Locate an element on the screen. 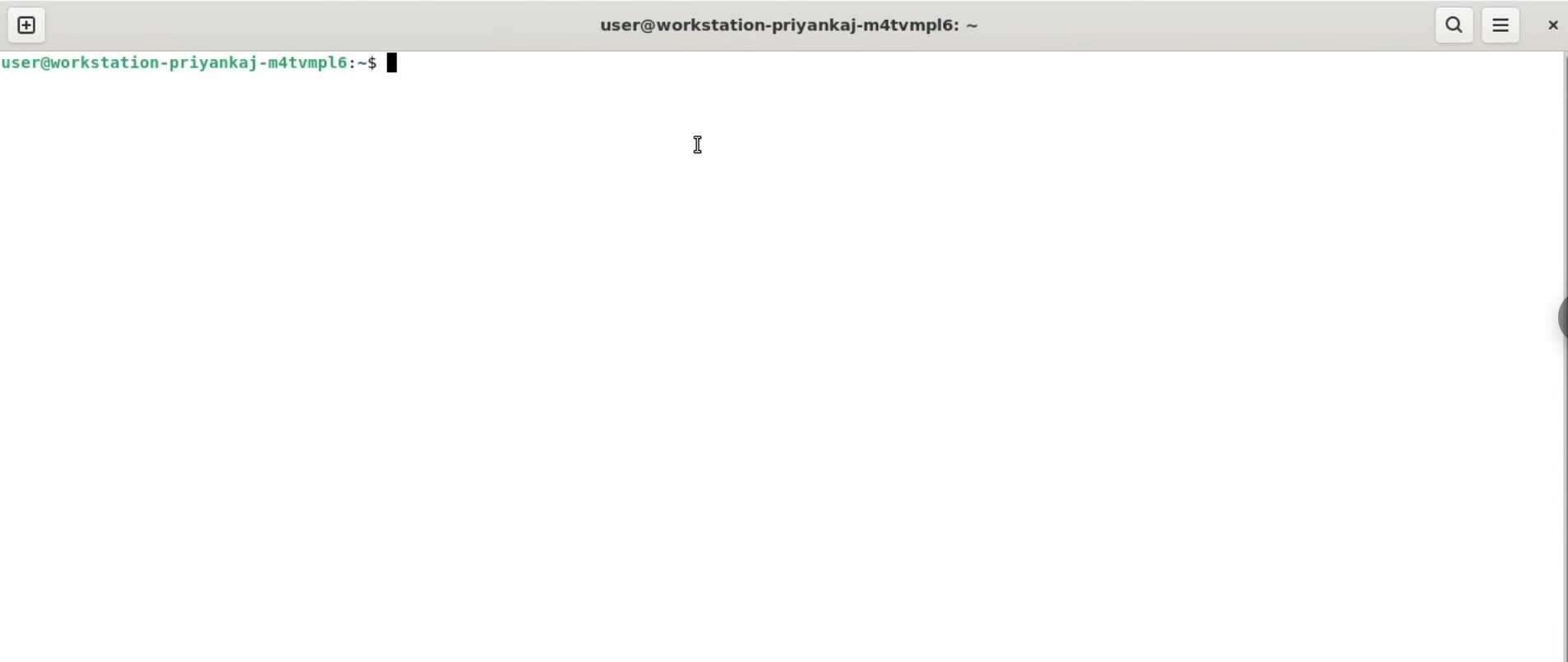 This screenshot has height=662, width=1568. sidebar is located at coordinates (1561, 317).